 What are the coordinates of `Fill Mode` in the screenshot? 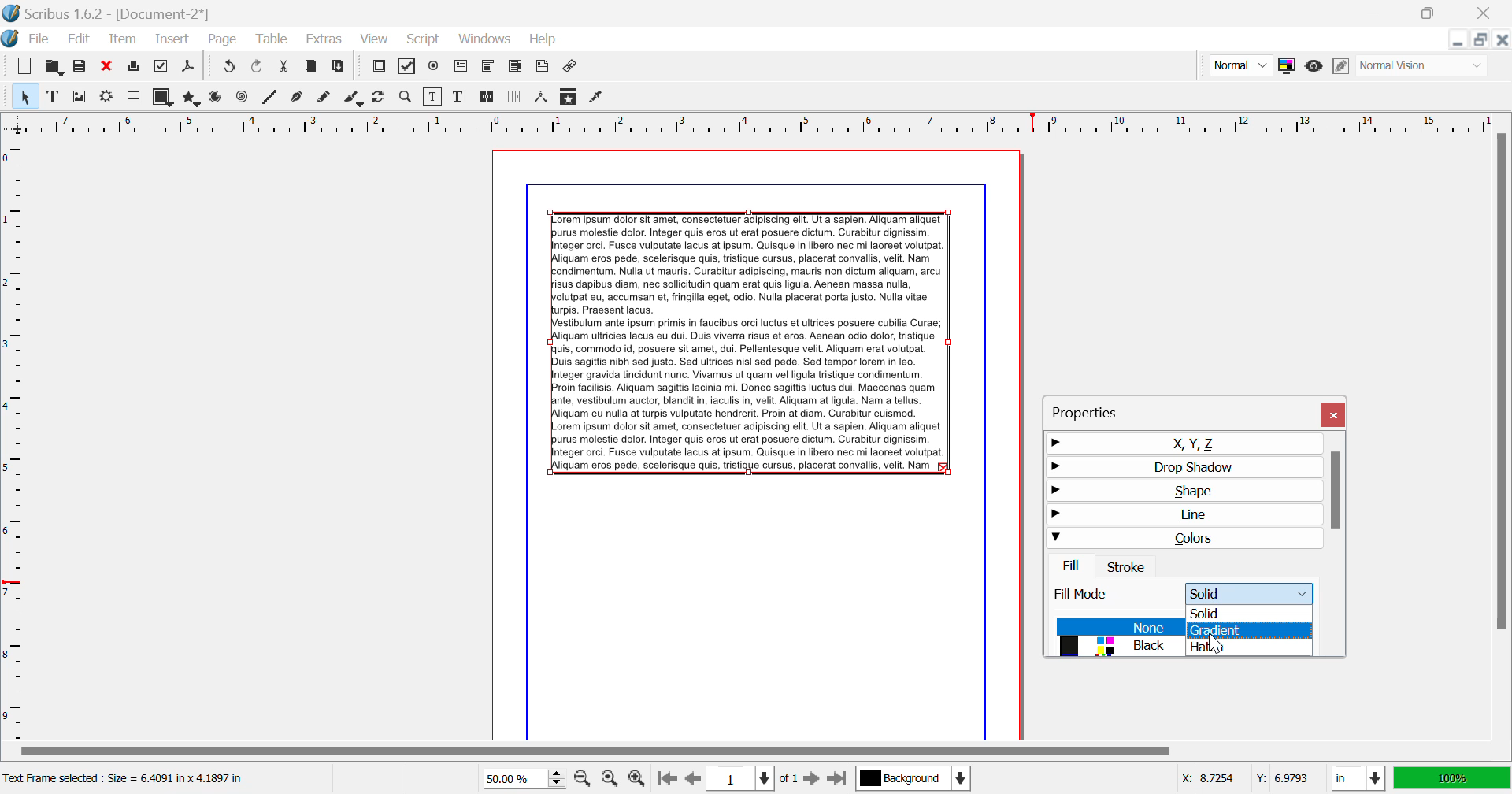 It's located at (1096, 596).